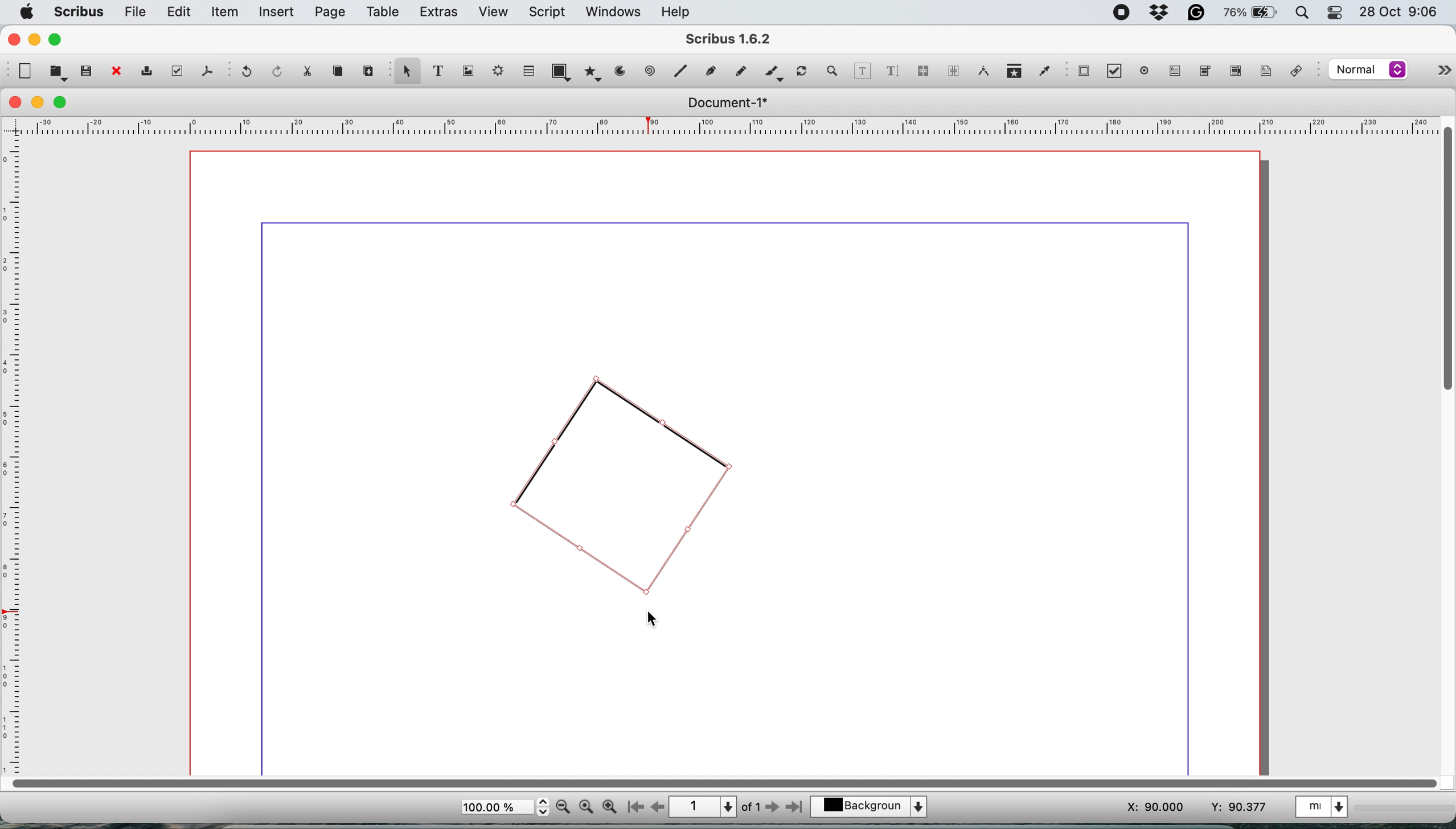 Image resolution: width=1456 pixels, height=829 pixels. What do you see at coordinates (136, 12) in the screenshot?
I see `file` at bounding box center [136, 12].